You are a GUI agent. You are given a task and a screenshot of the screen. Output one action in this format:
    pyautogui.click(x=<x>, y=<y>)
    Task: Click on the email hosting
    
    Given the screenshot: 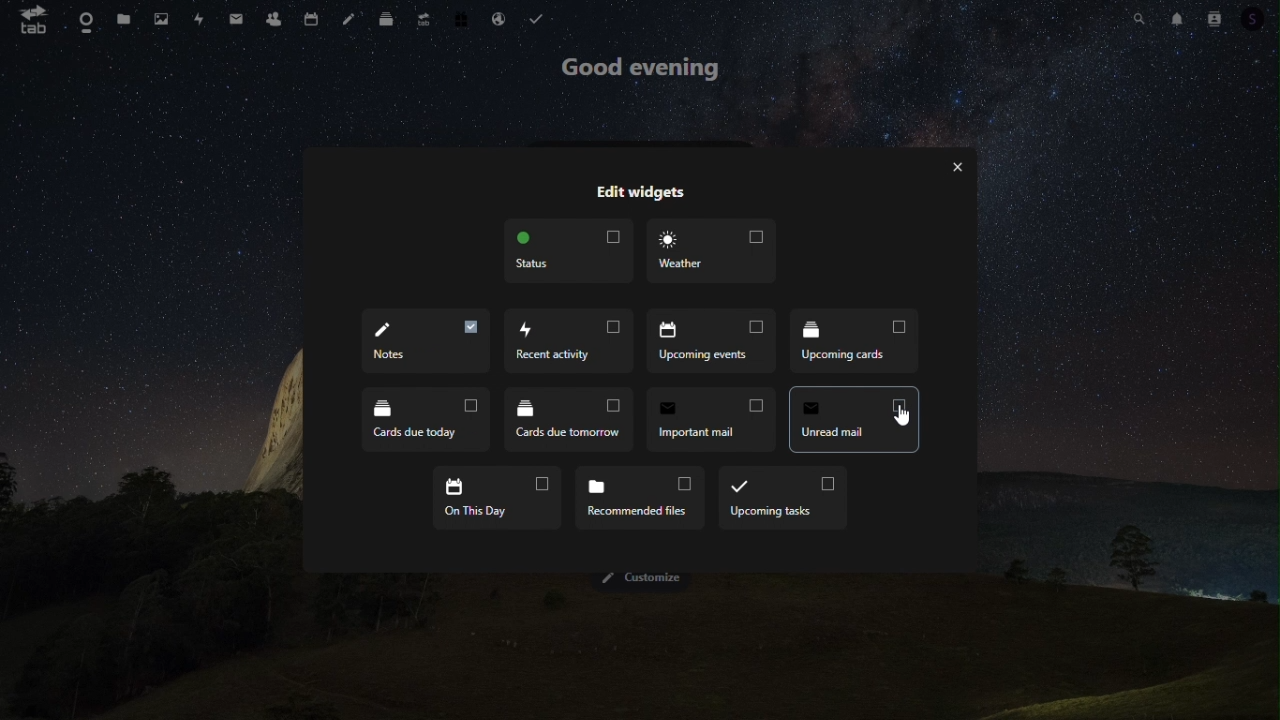 What is the action you would take?
    pyautogui.click(x=501, y=19)
    